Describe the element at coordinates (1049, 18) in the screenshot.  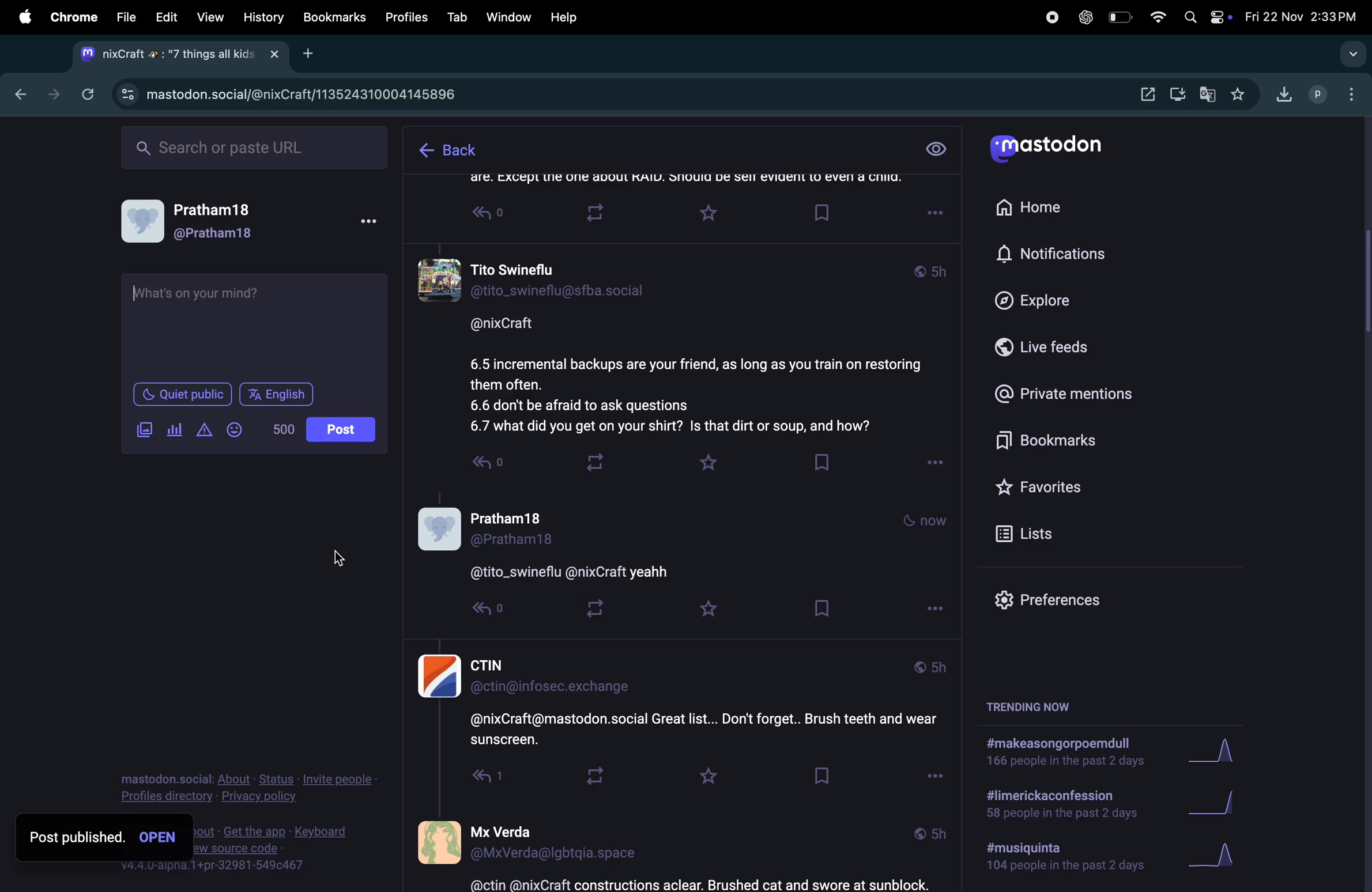
I see `record` at that location.